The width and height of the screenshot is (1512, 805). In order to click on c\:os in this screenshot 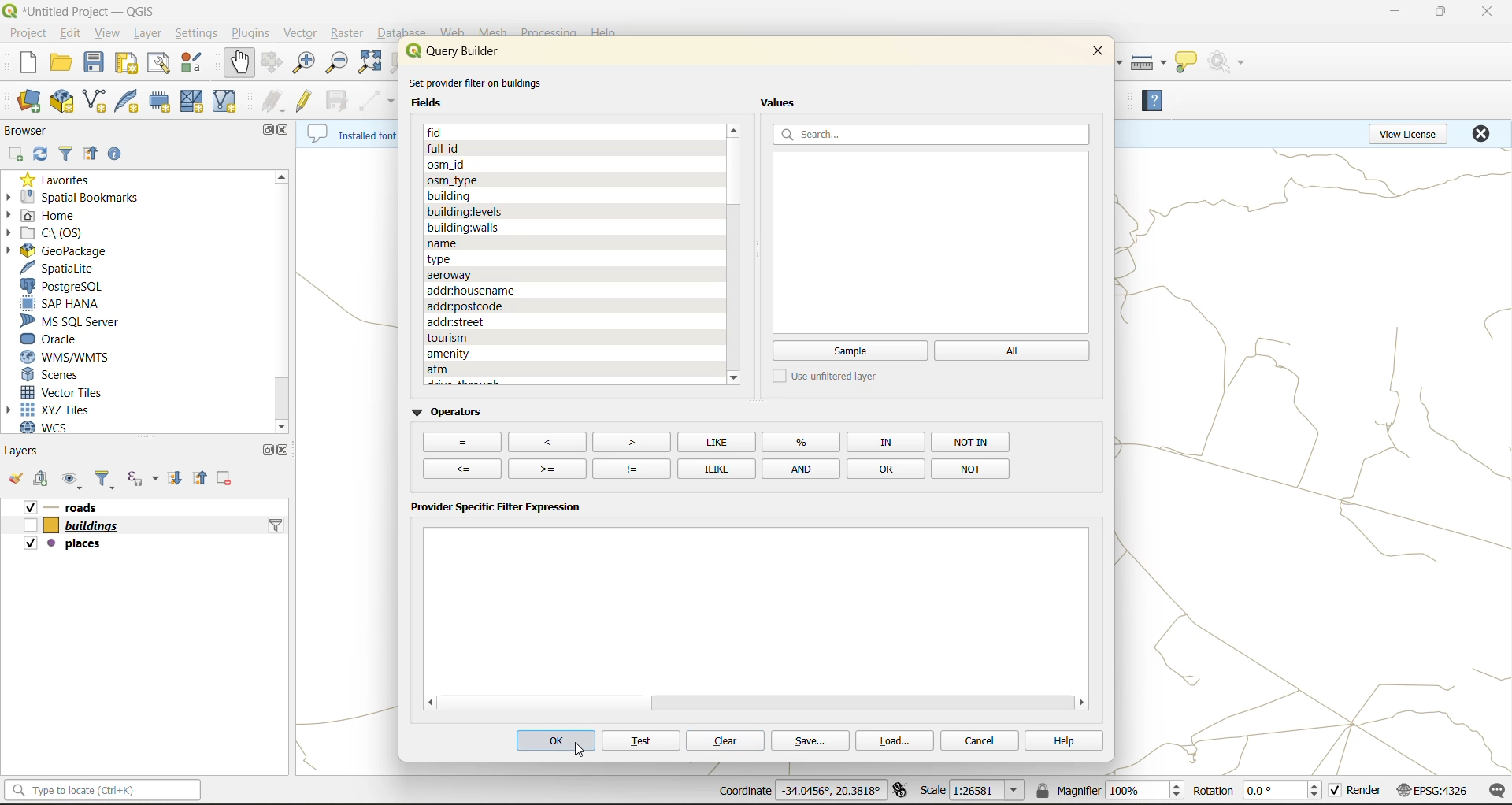, I will do `click(53, 232)`.